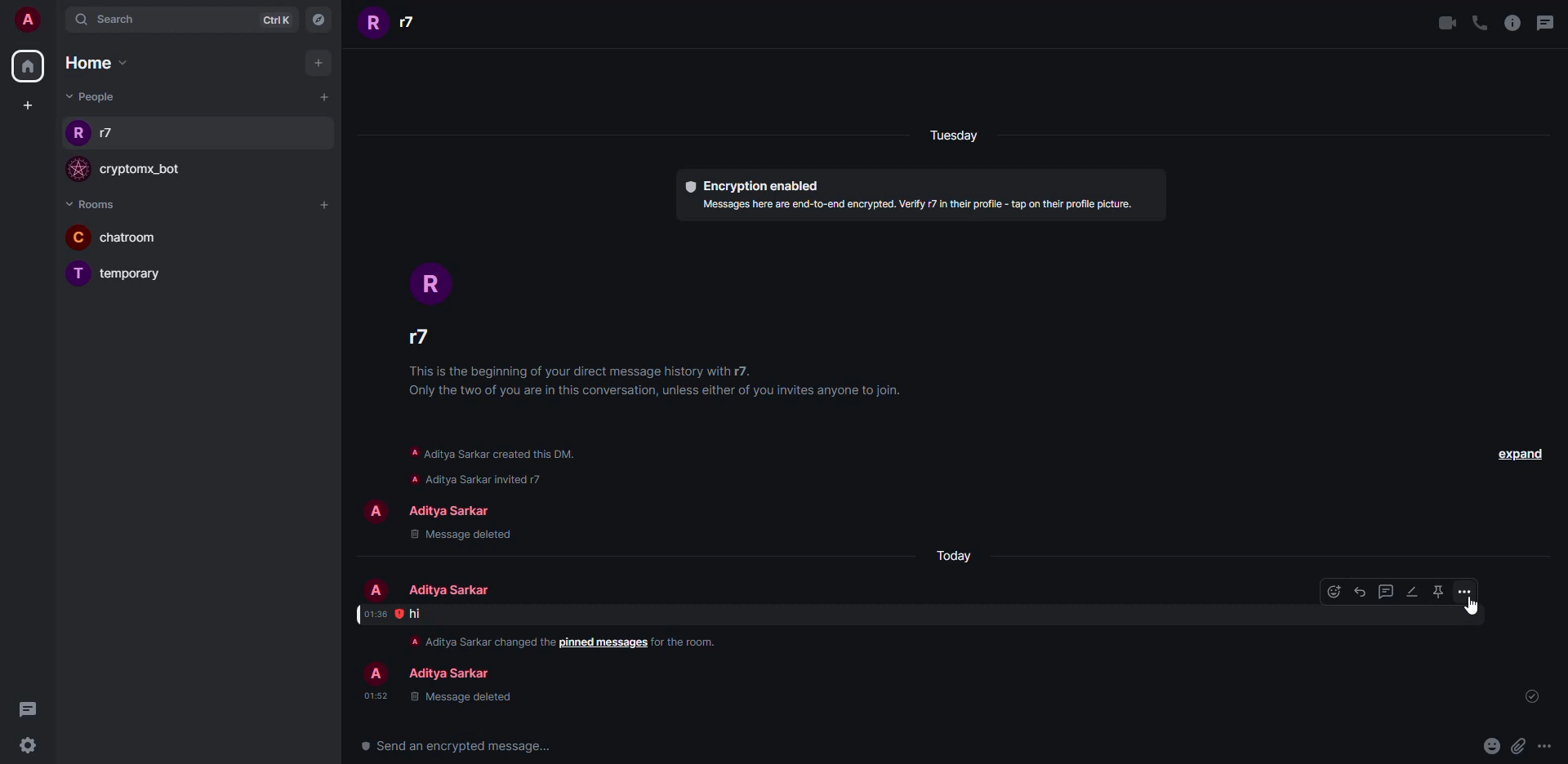 The height and width of the screenshot is (764, 1568). Describe the element at coordinates (746, 184) in the screenshot. I see `encryption enabled` at that location.